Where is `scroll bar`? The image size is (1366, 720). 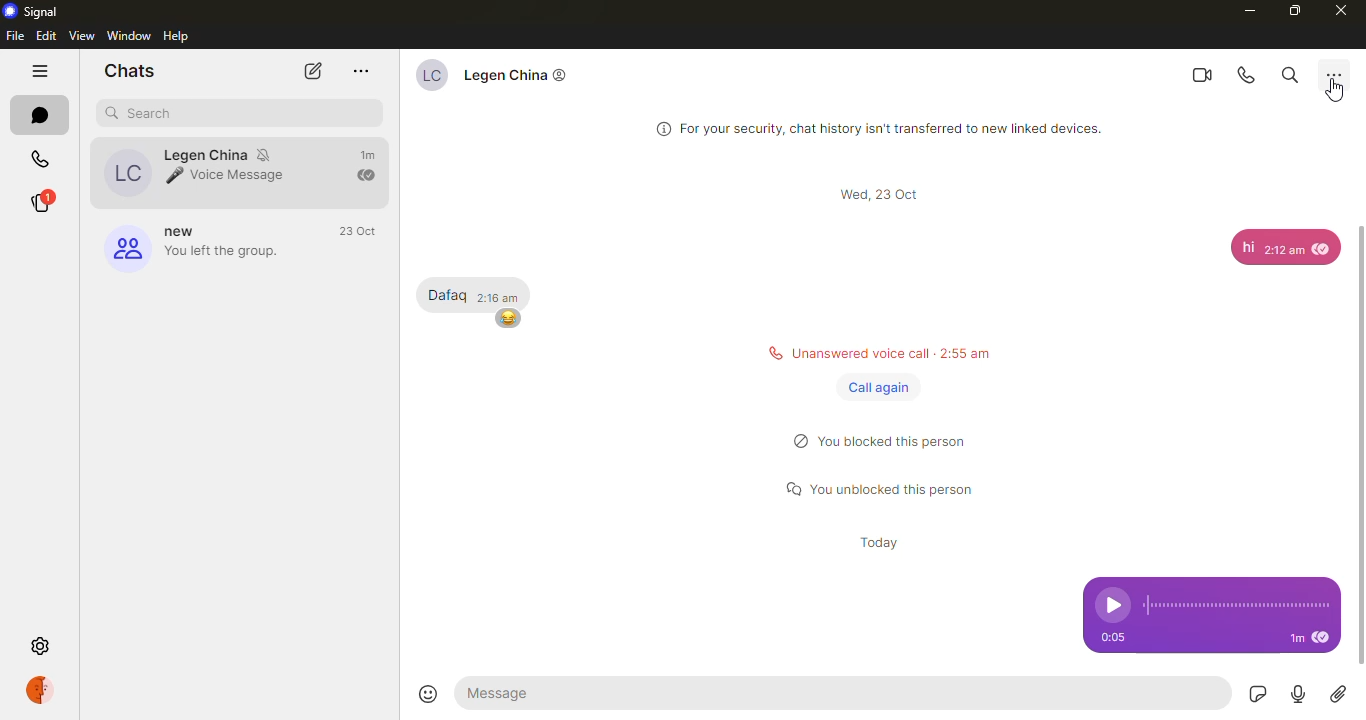 scroll bar is located at coordinates (1365, 445).